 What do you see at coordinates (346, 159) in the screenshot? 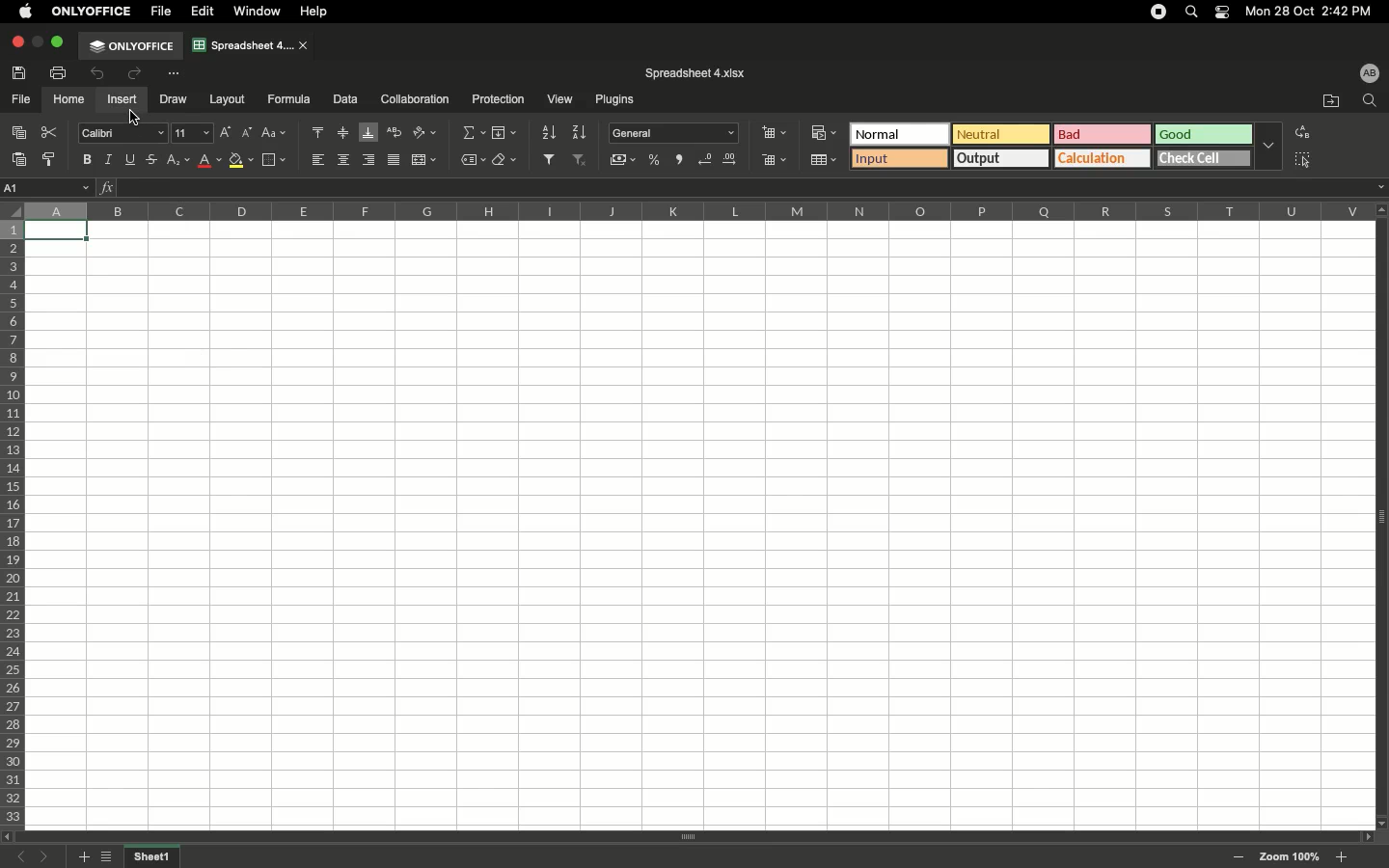
I see `Align center` at bounding box center [346, 159].